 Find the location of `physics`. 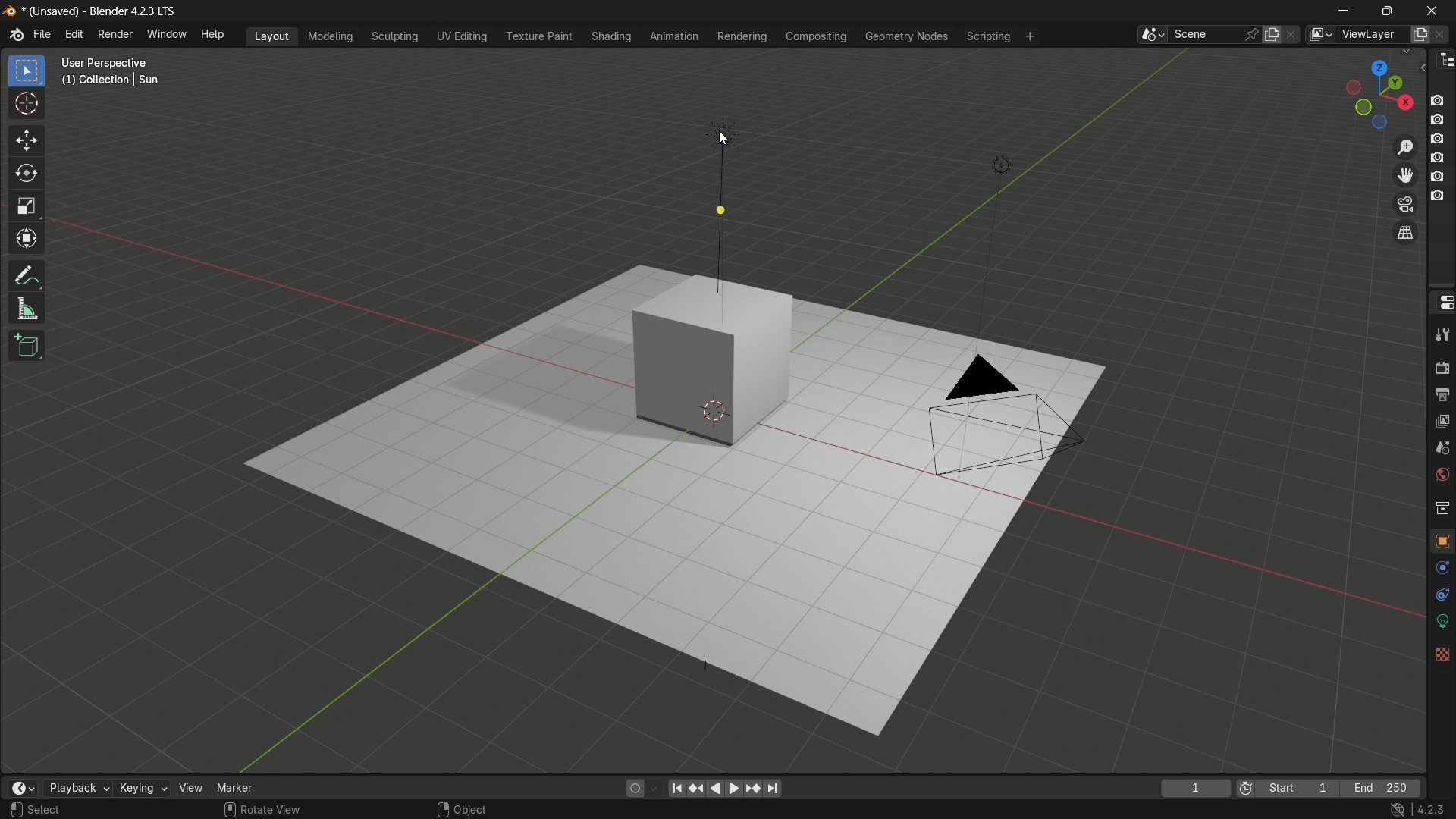

physics is located at coordinates (1442, 568).